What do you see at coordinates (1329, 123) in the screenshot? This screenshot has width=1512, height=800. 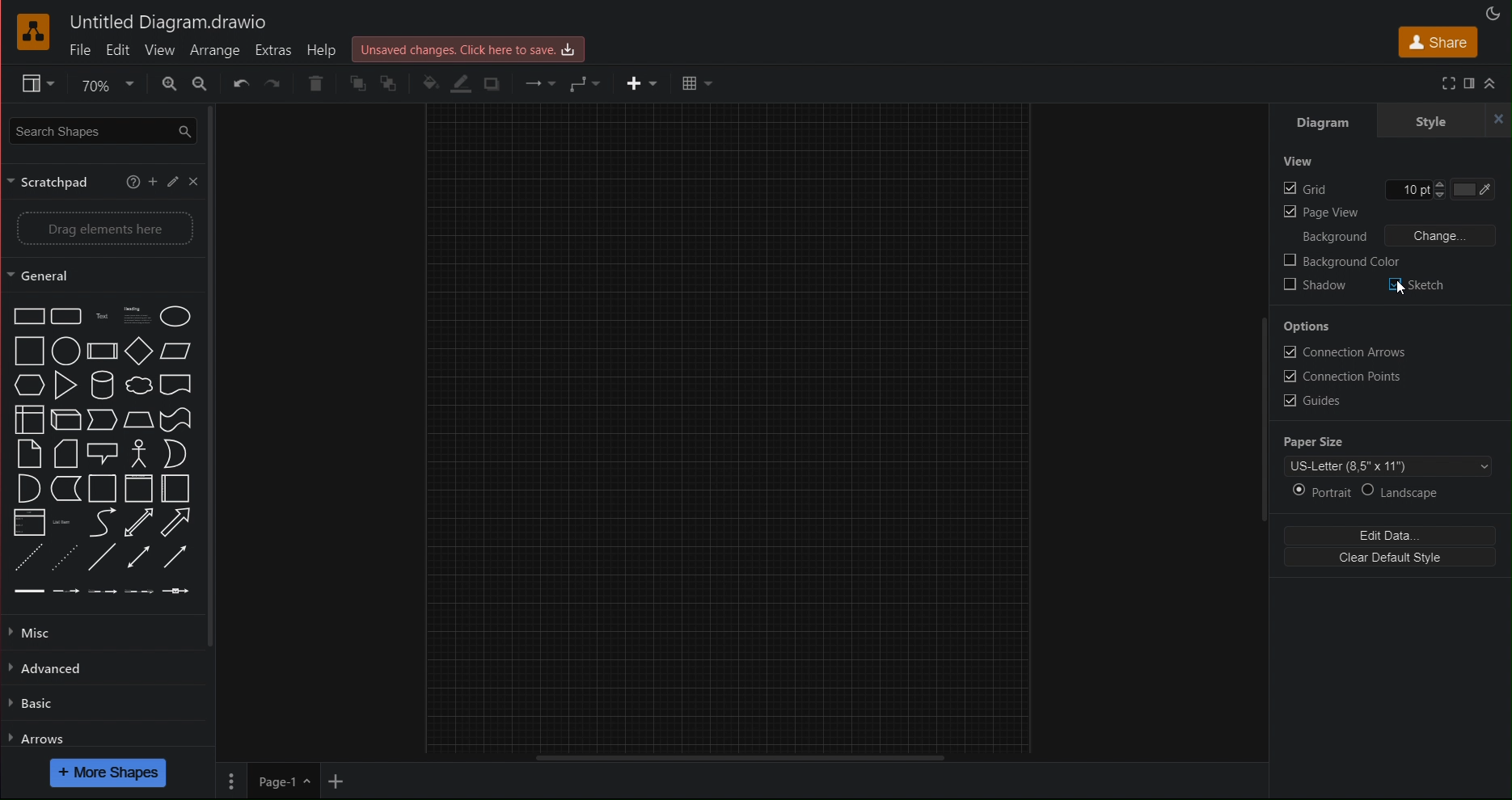 I see `Diagram` at bounding box center [1329, 123].